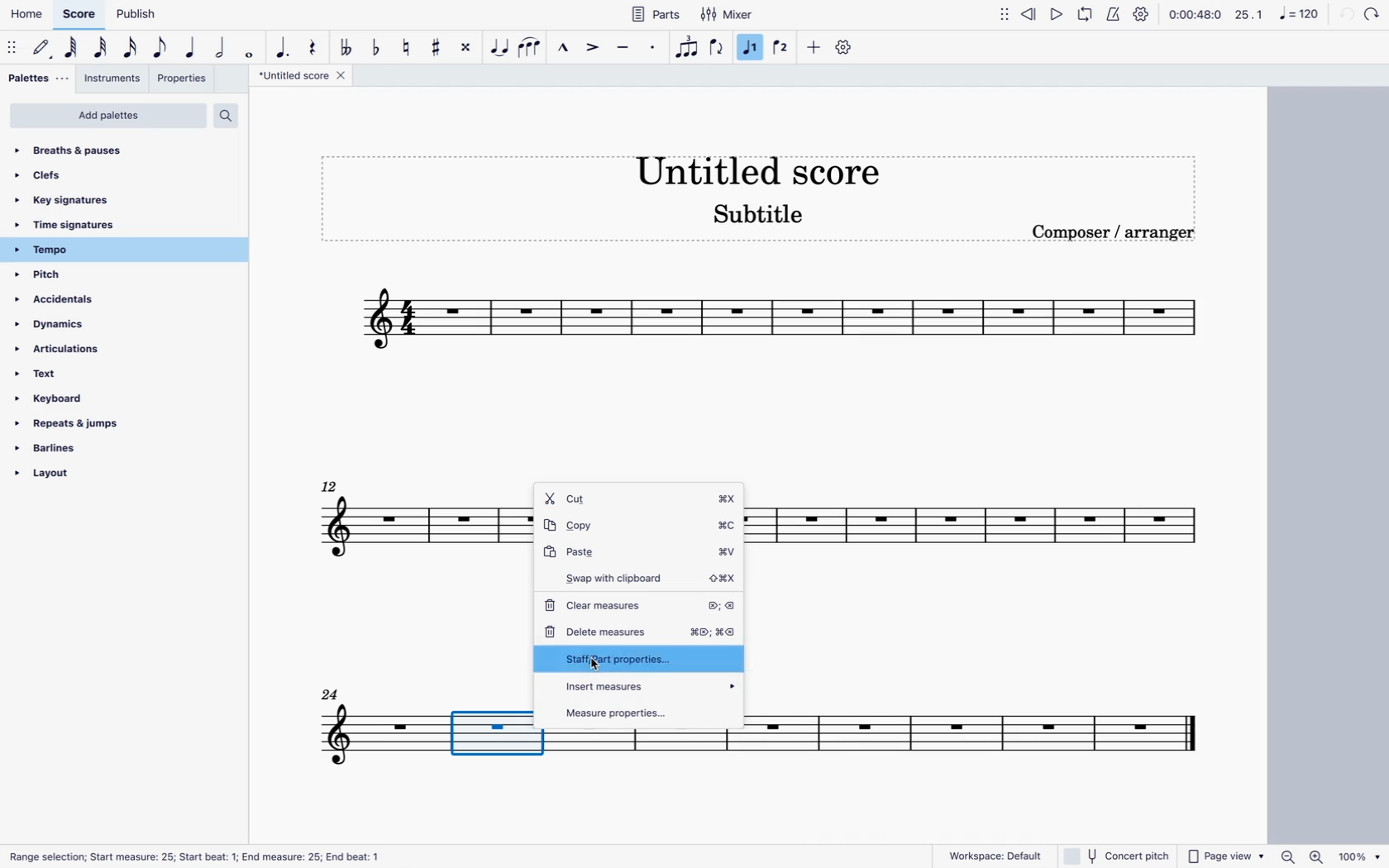 This screenshot has width=1389, height=868. I want to click on paste, so click(641, 554).